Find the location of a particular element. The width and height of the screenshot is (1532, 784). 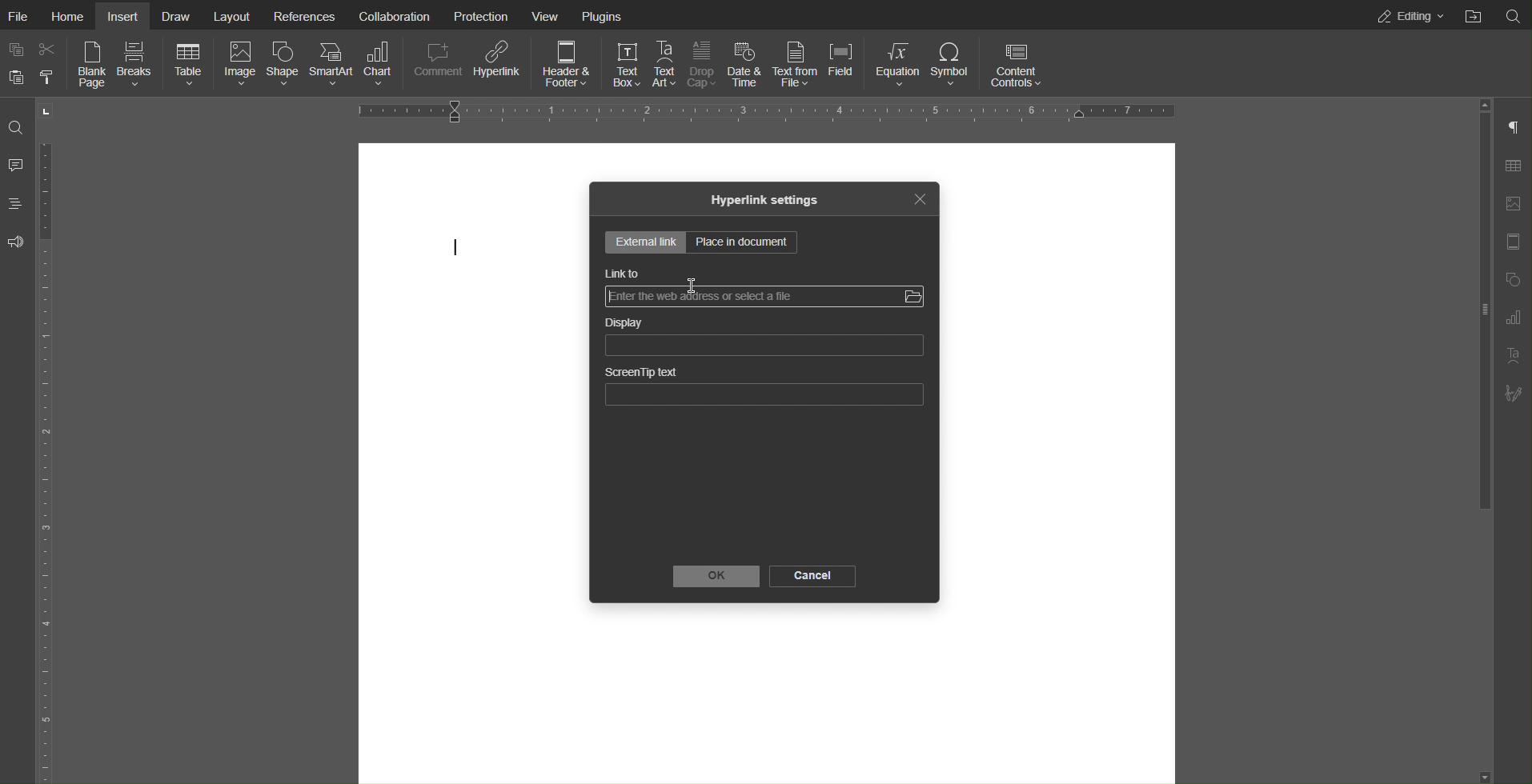

slider is located at coordinates (1476, 338).